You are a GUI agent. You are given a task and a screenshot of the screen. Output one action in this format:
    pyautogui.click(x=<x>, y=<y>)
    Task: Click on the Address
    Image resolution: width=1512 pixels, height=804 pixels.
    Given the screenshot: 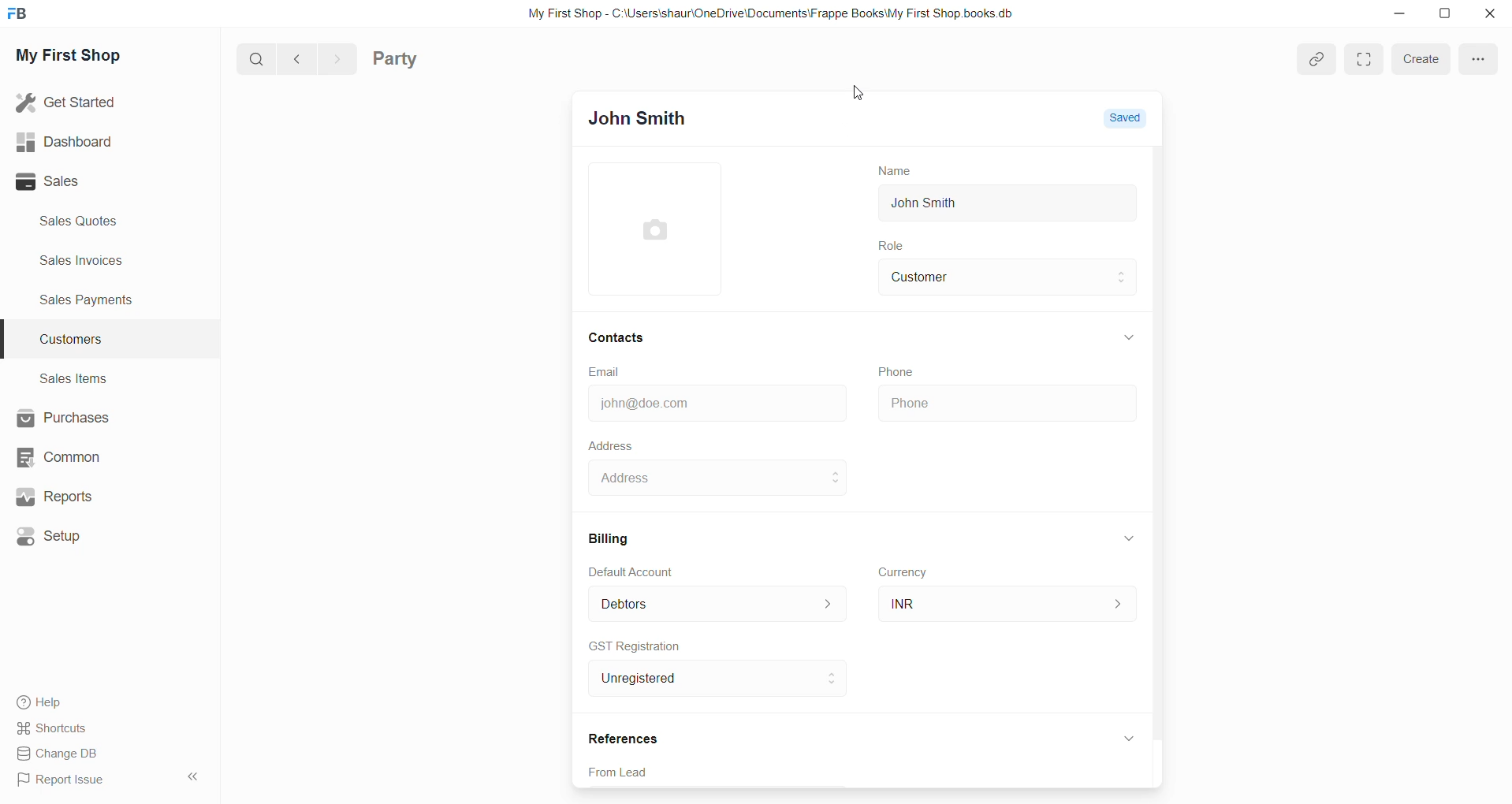 What is the action you would take?
    pyautogui.click(x=611, y=445)
    